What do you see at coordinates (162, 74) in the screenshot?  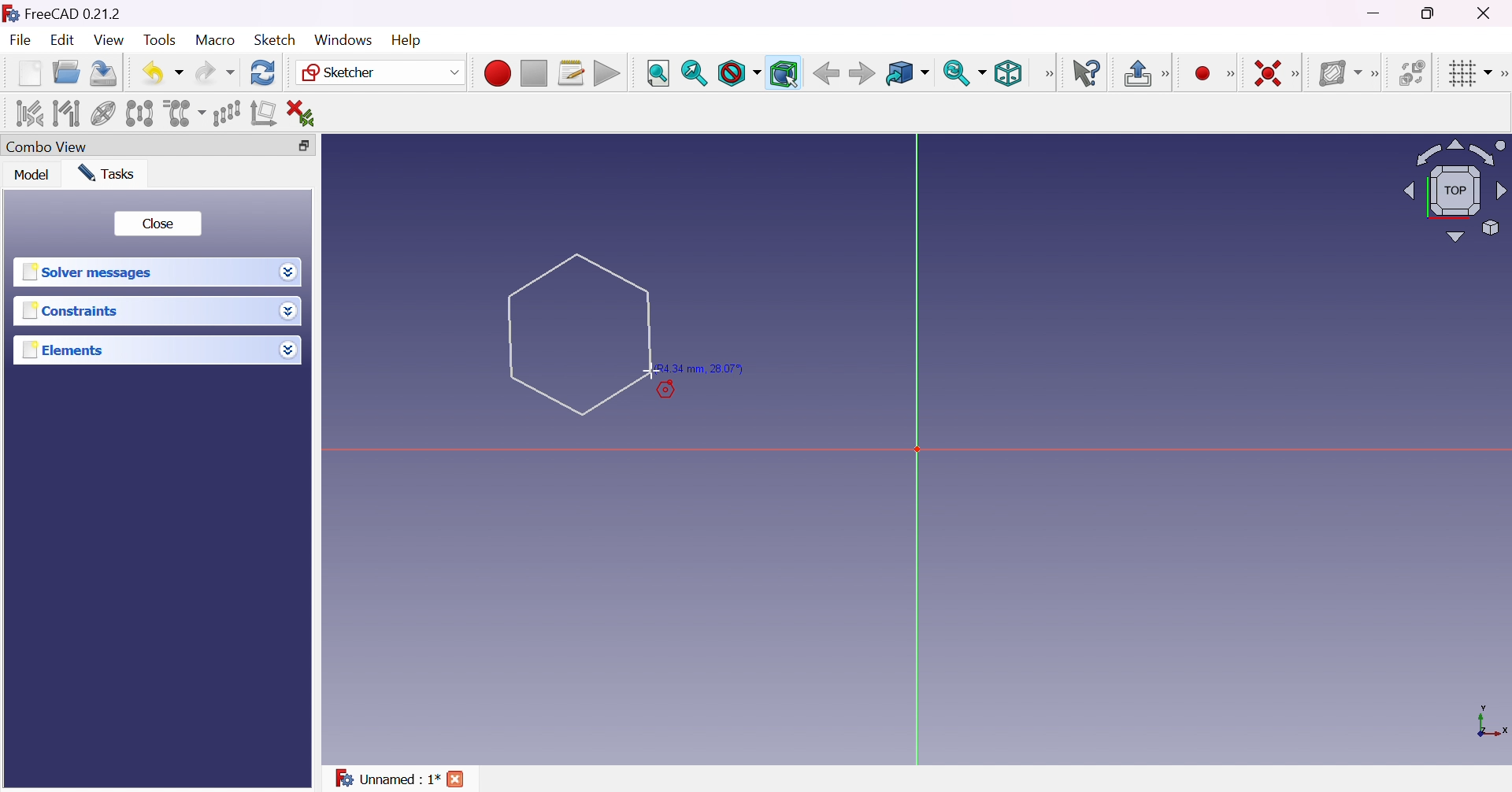 I see `Undo` at bounding box center [162, 74].